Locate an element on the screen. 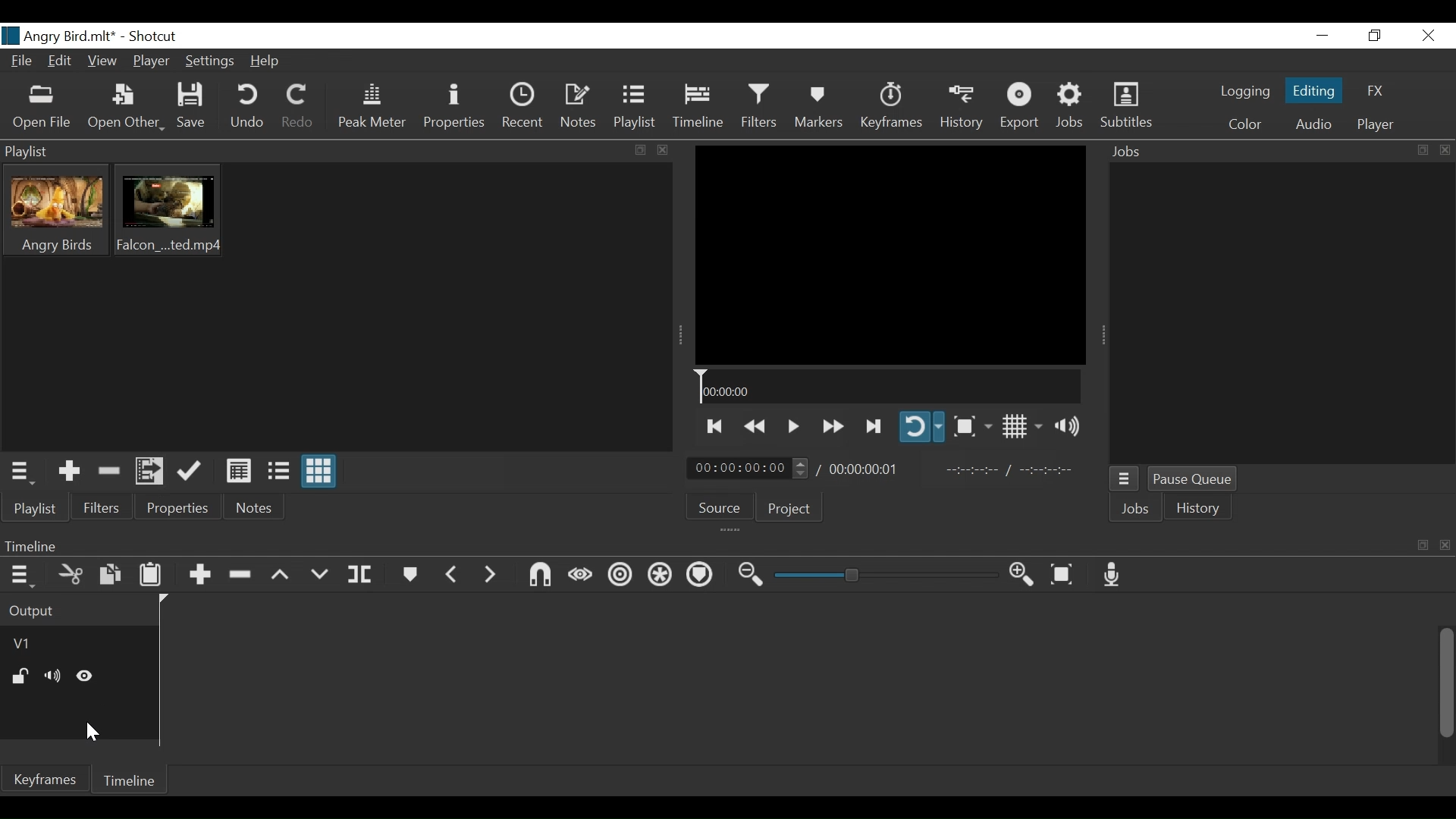 This screenshot has height=819, width=1456. Jobs is located at coordinates (1135, 509).